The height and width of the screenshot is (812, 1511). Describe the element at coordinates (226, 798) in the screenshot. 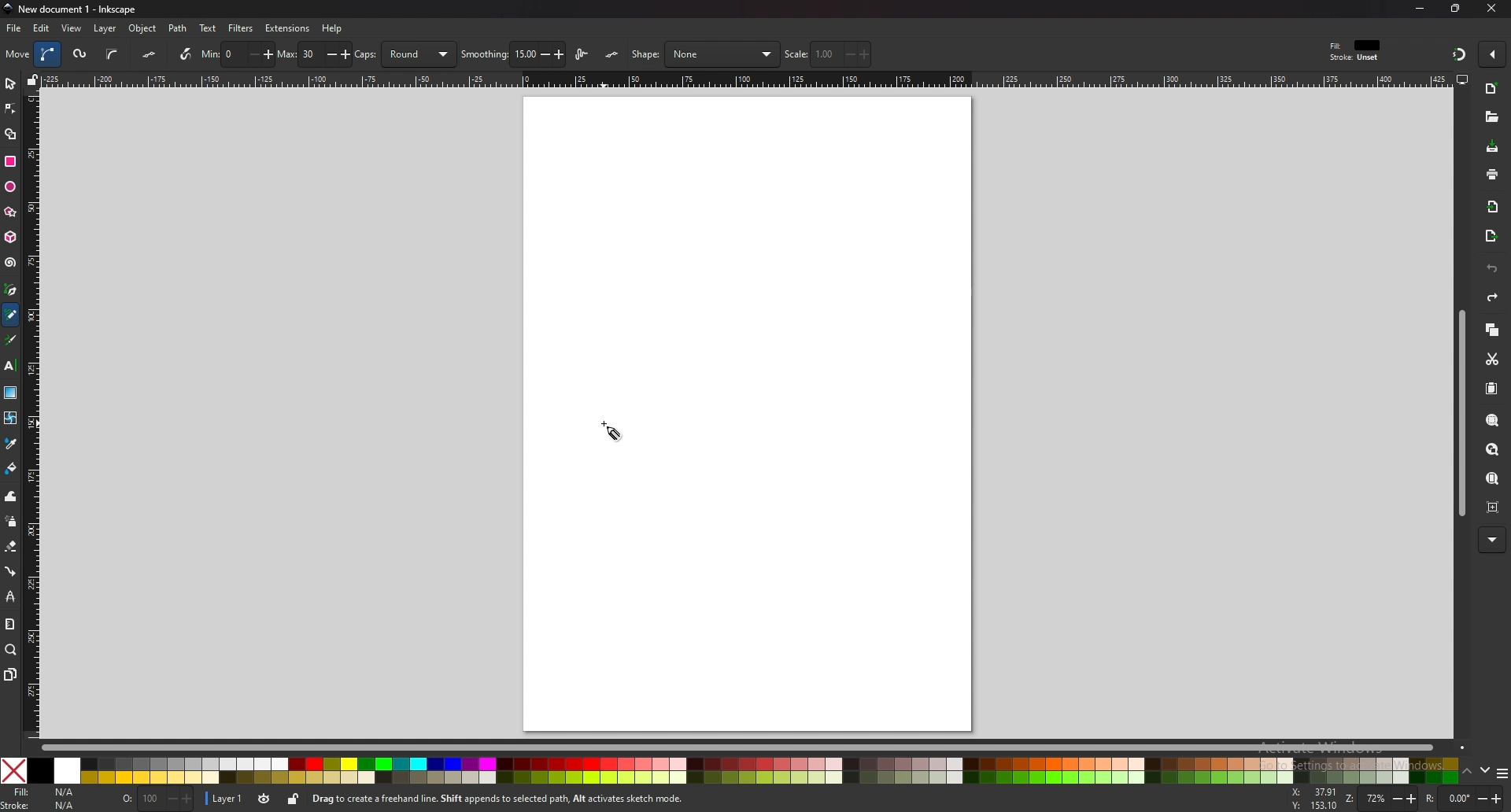

I see `layer` at that location.